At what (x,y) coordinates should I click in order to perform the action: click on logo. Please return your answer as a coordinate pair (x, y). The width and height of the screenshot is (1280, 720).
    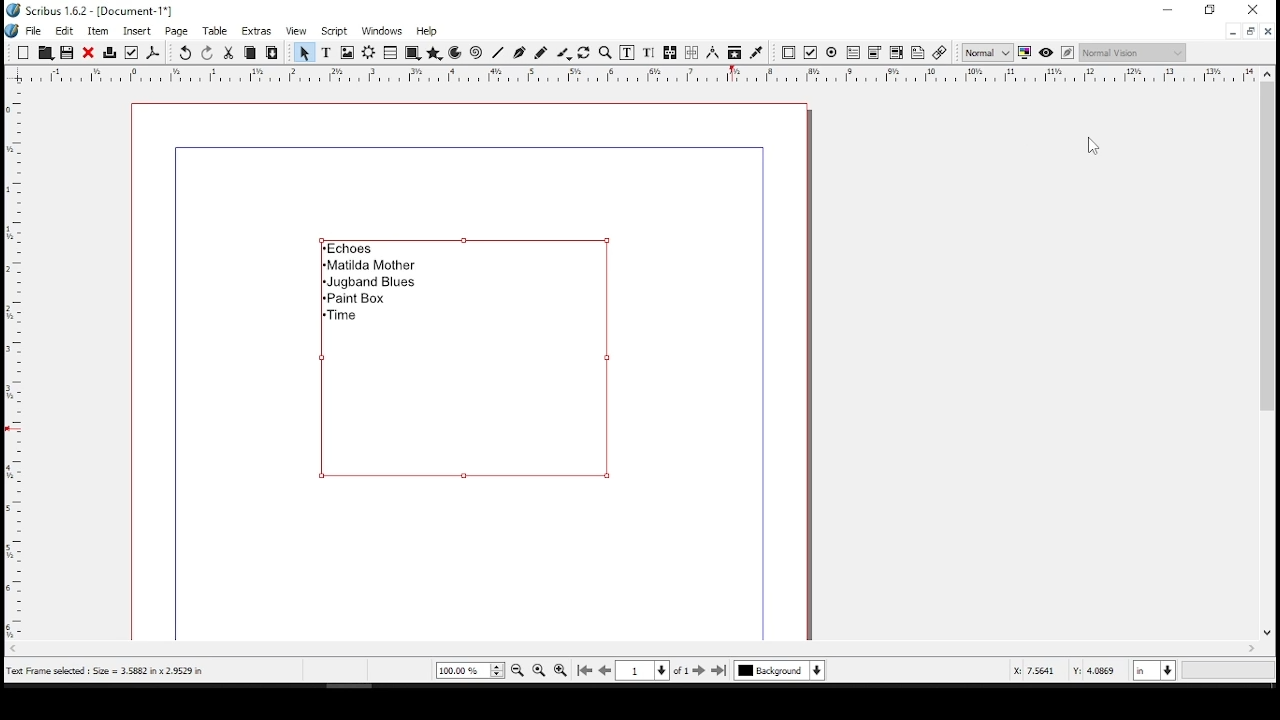
    Looking at the image, I should click on (12, 32).